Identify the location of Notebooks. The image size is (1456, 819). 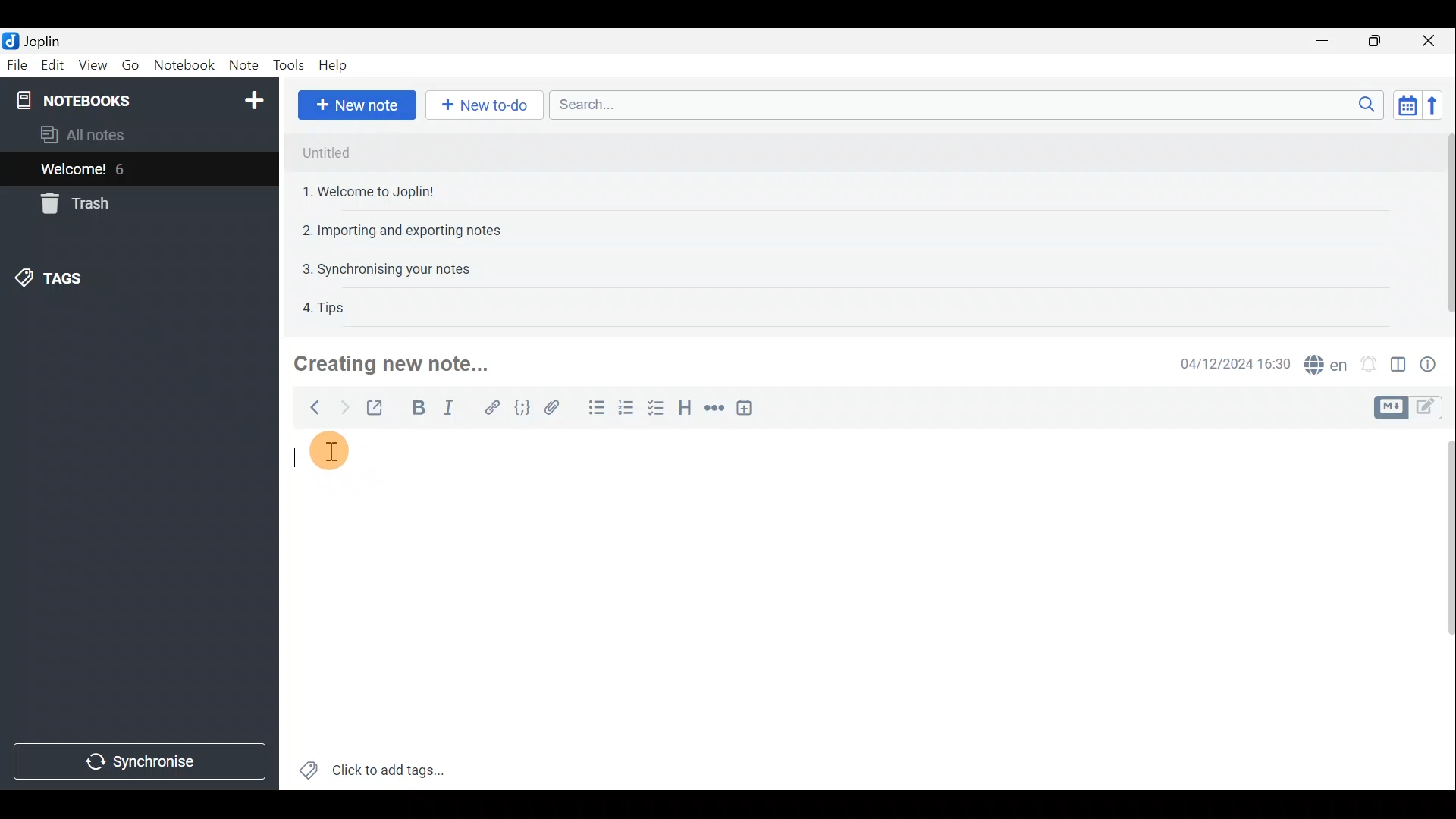
(142, 102).